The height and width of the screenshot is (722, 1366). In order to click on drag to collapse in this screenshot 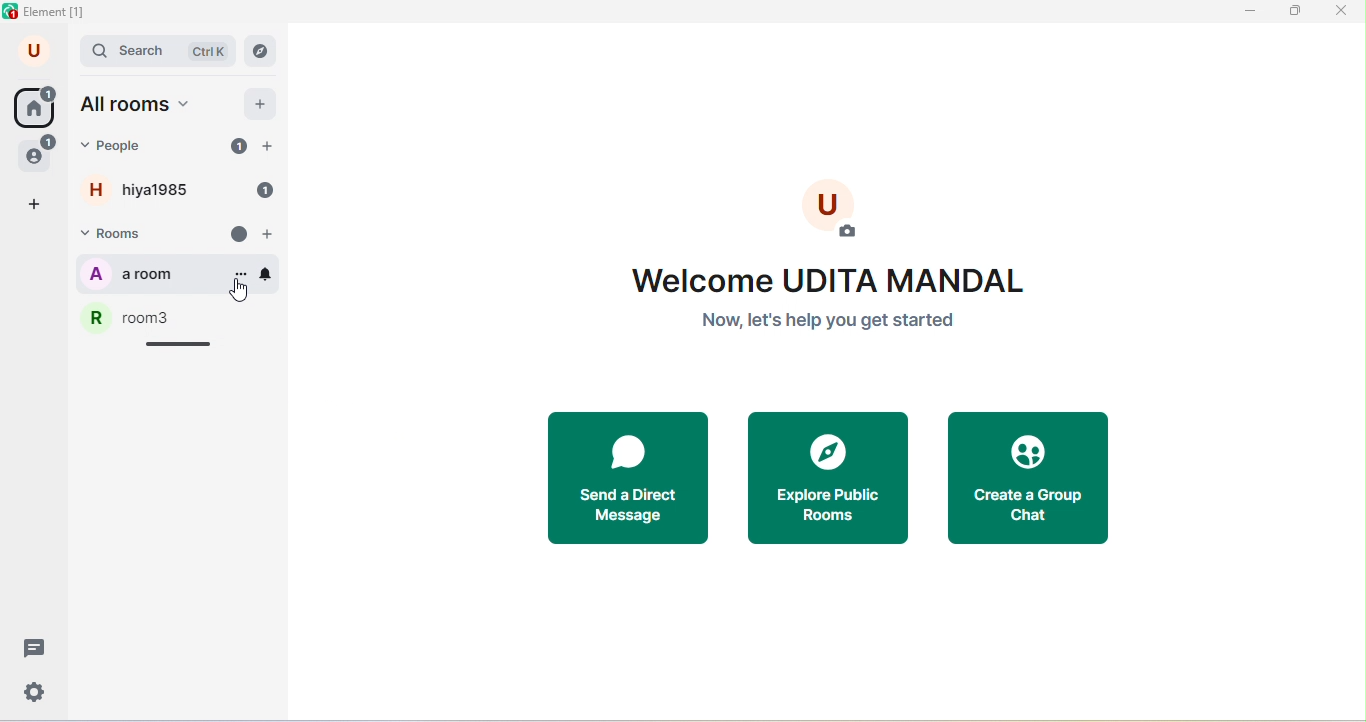, I will do `click(179, 344)`.